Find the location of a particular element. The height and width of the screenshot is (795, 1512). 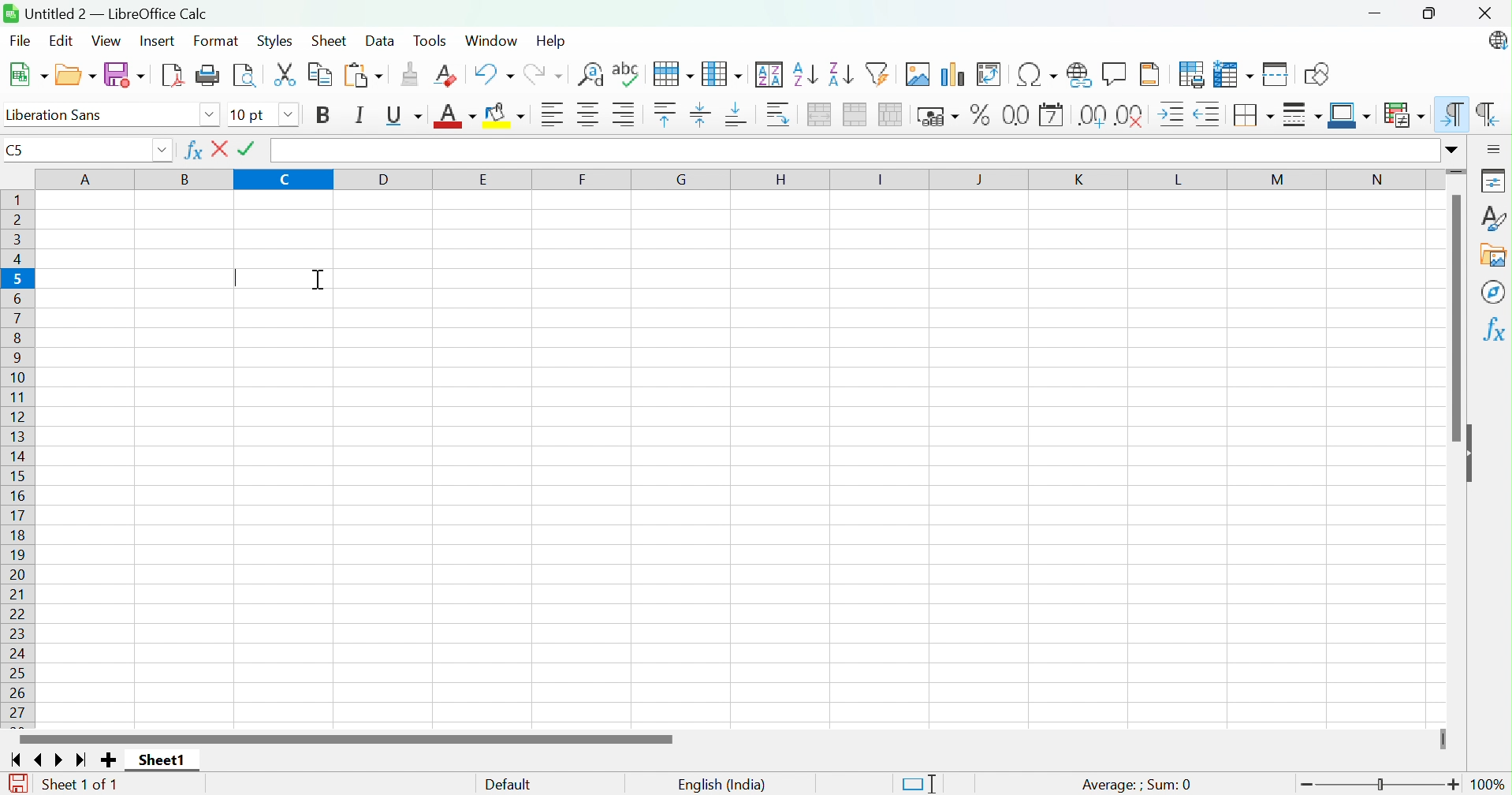

Font name is located at coordinates (101, 117).